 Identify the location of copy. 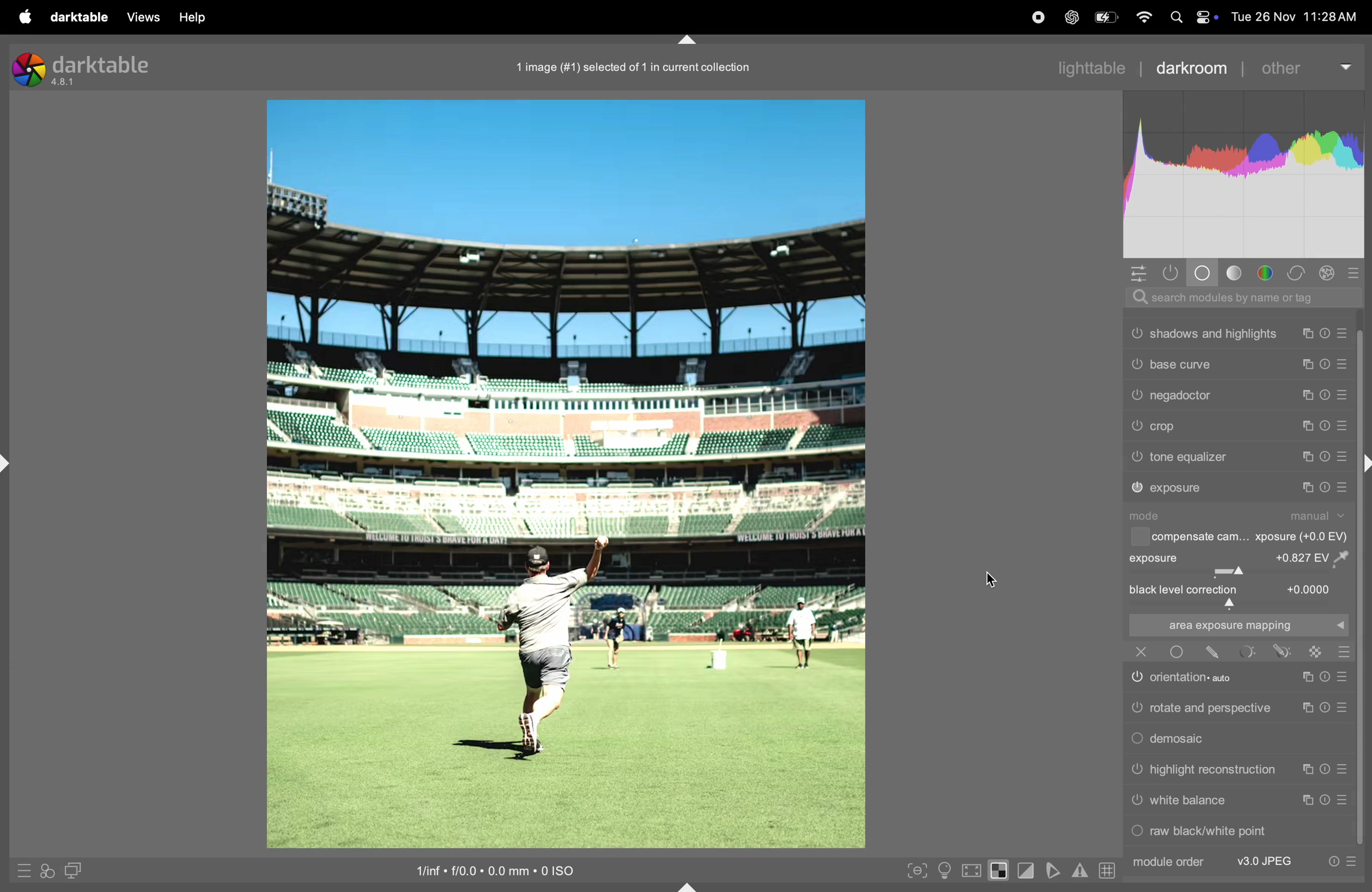
(1308, 334).